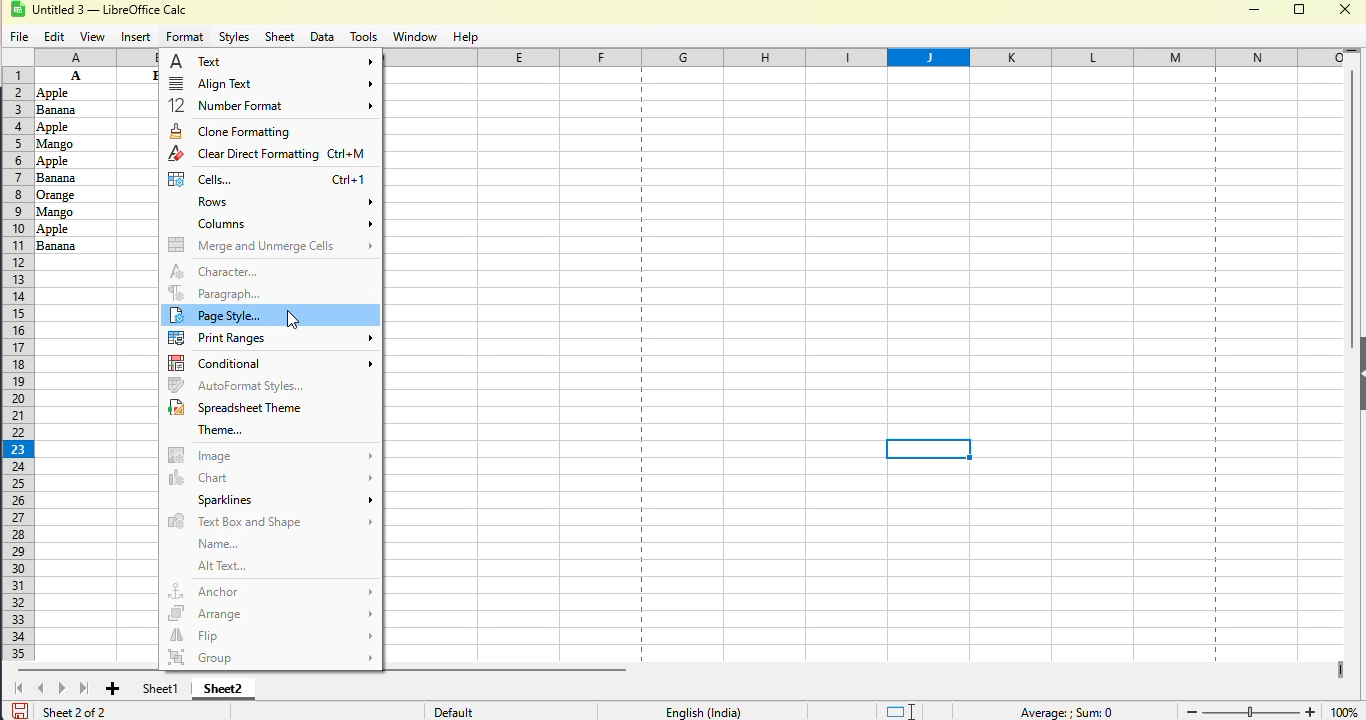 The height and width of the screenshot is (720, 1366). I want to click on cursor, so click(293, 319).